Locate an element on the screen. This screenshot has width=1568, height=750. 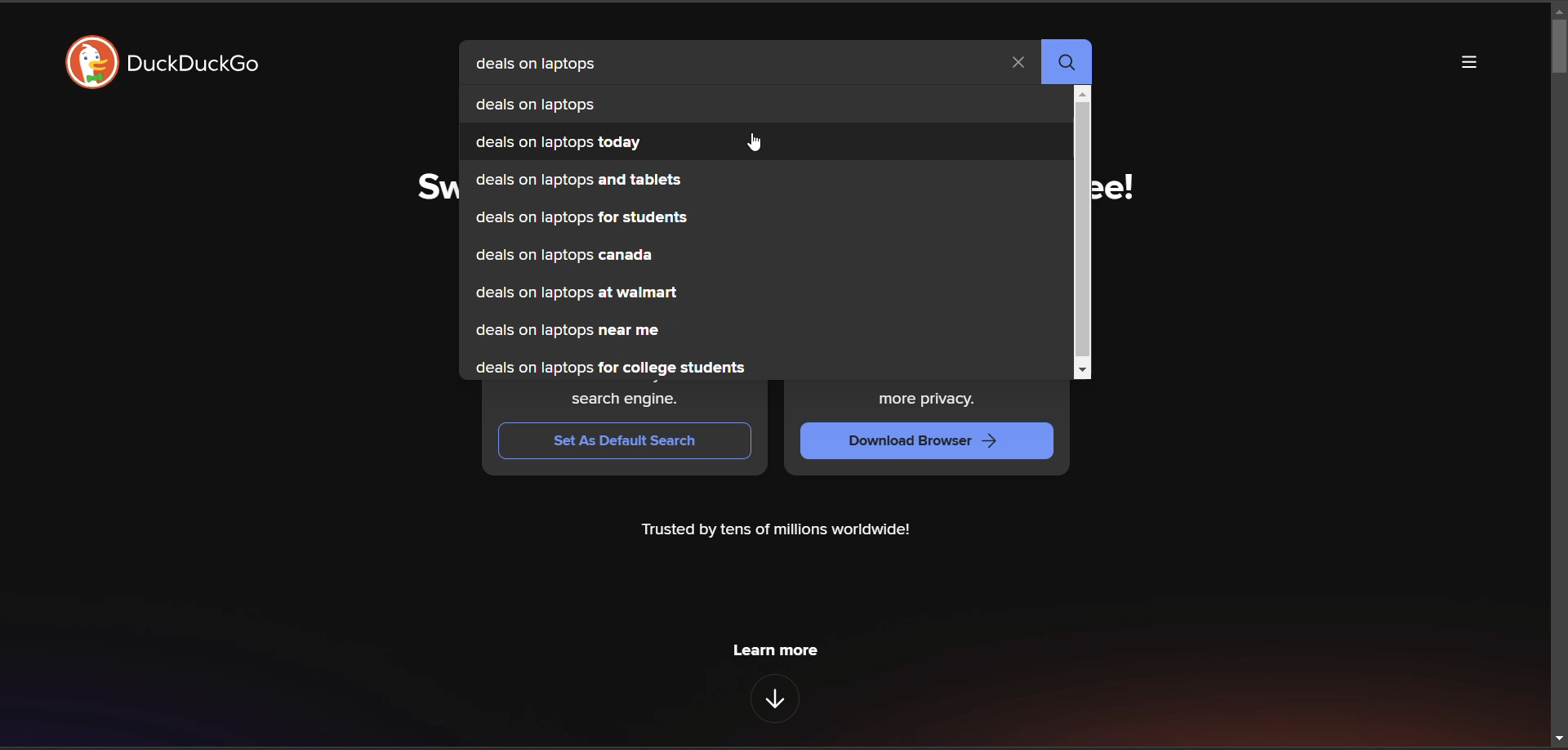
clear search term is located at coordinates (1020, 65).